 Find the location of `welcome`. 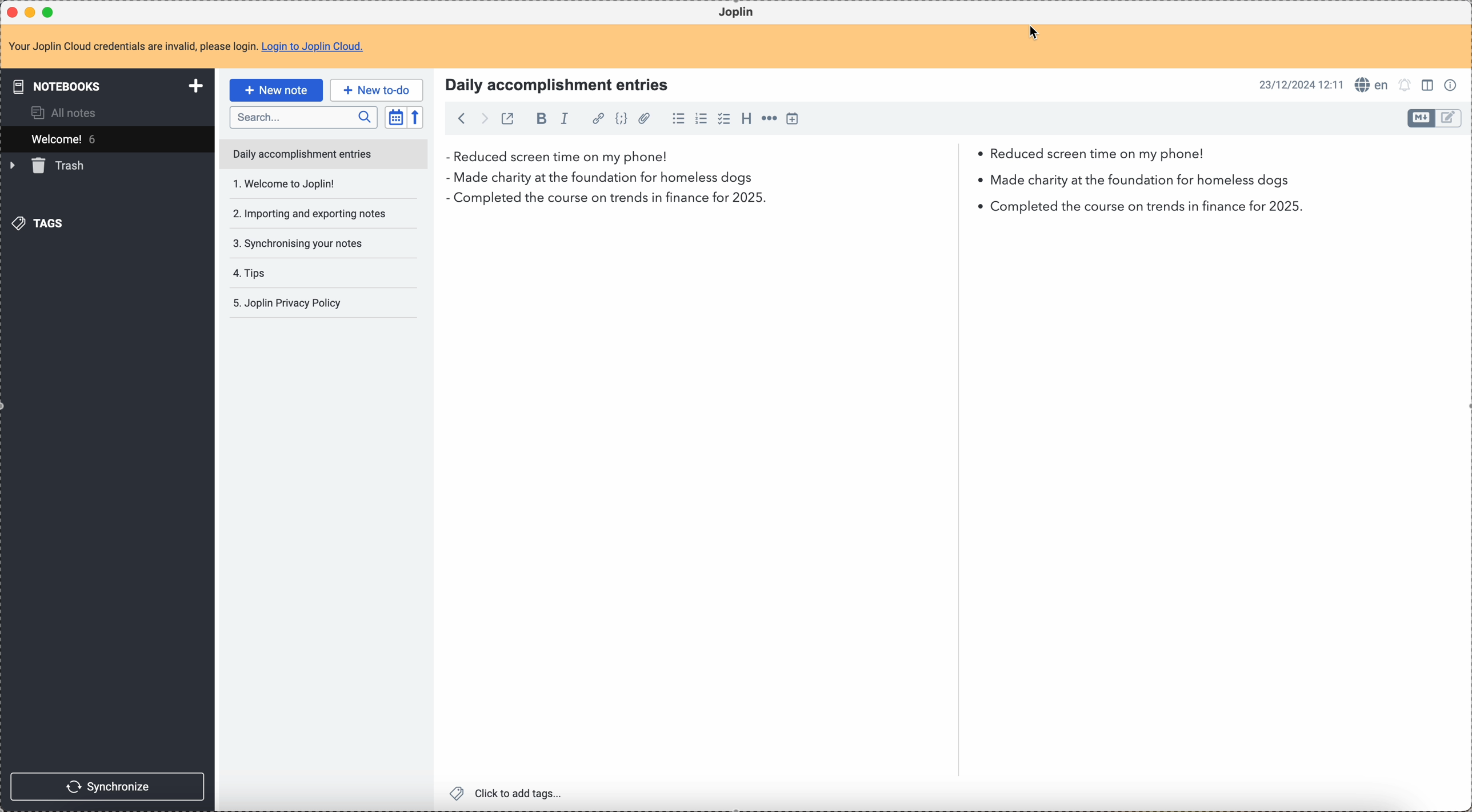

welcome is located at coordinates (106, 139).